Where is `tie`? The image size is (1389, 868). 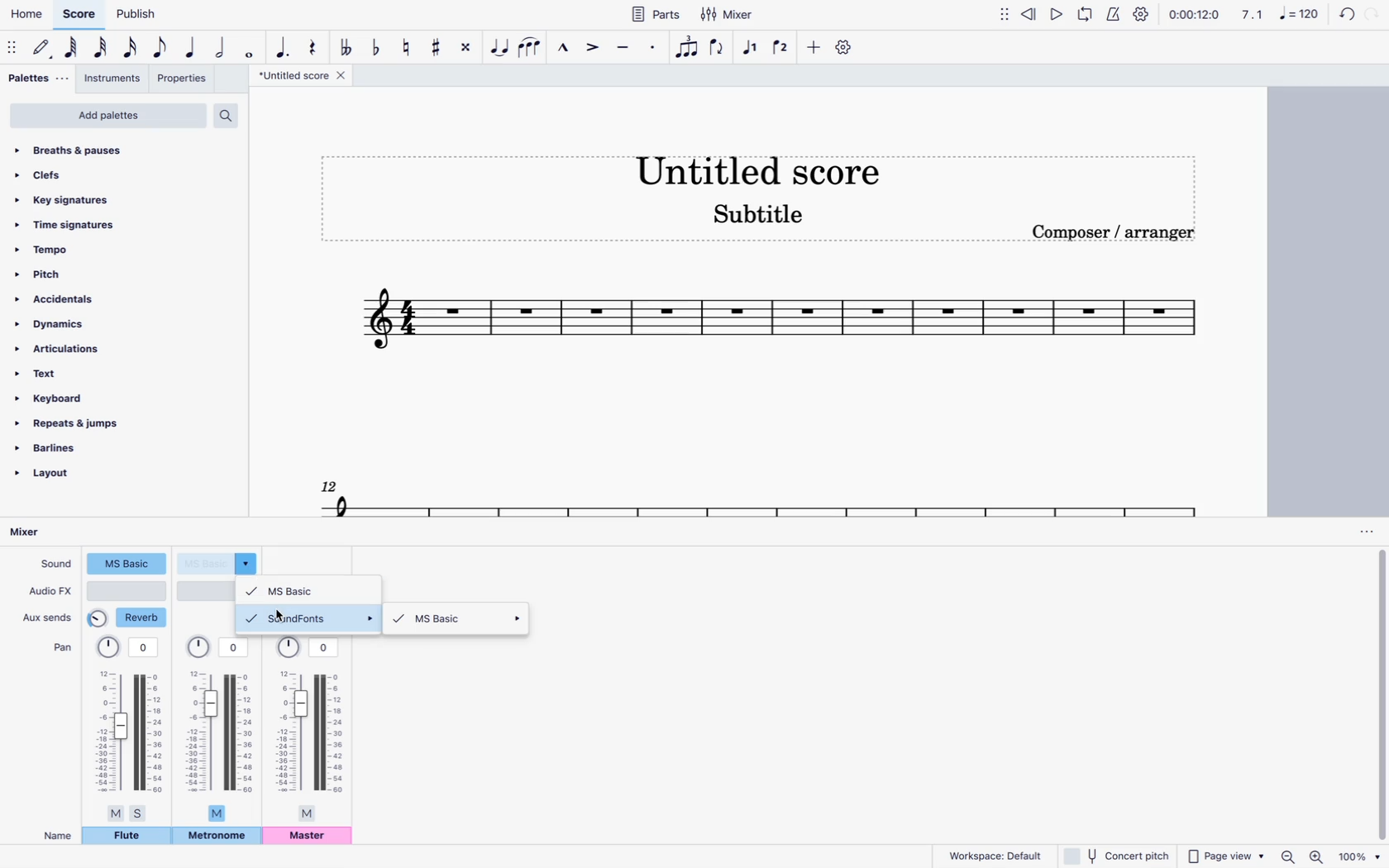 tie is located at coordinates (500, 49).